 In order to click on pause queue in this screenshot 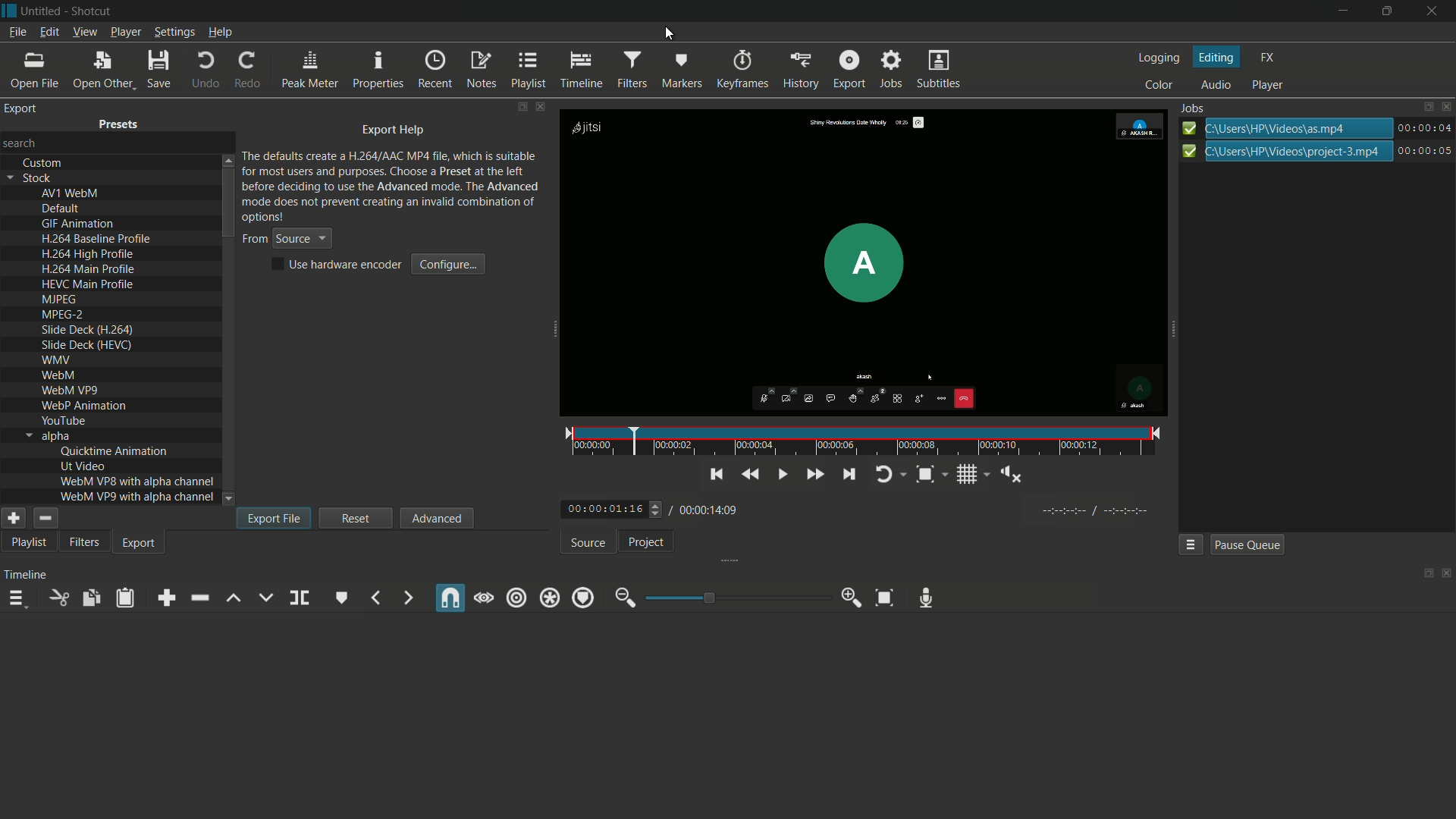, I will do `click(1246, 546)`.